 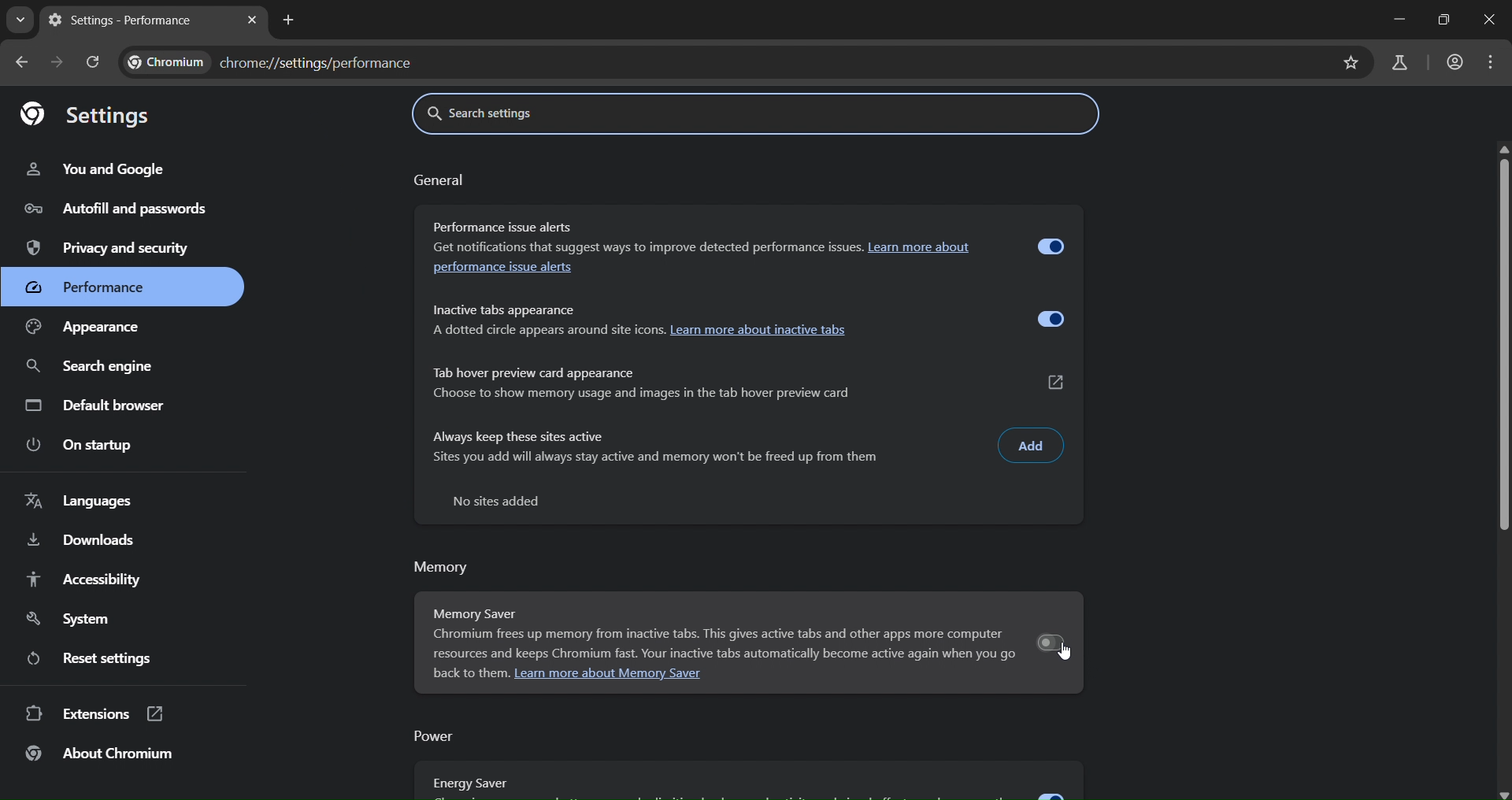 I want to click on On Startup, so click(x=89, y=446).